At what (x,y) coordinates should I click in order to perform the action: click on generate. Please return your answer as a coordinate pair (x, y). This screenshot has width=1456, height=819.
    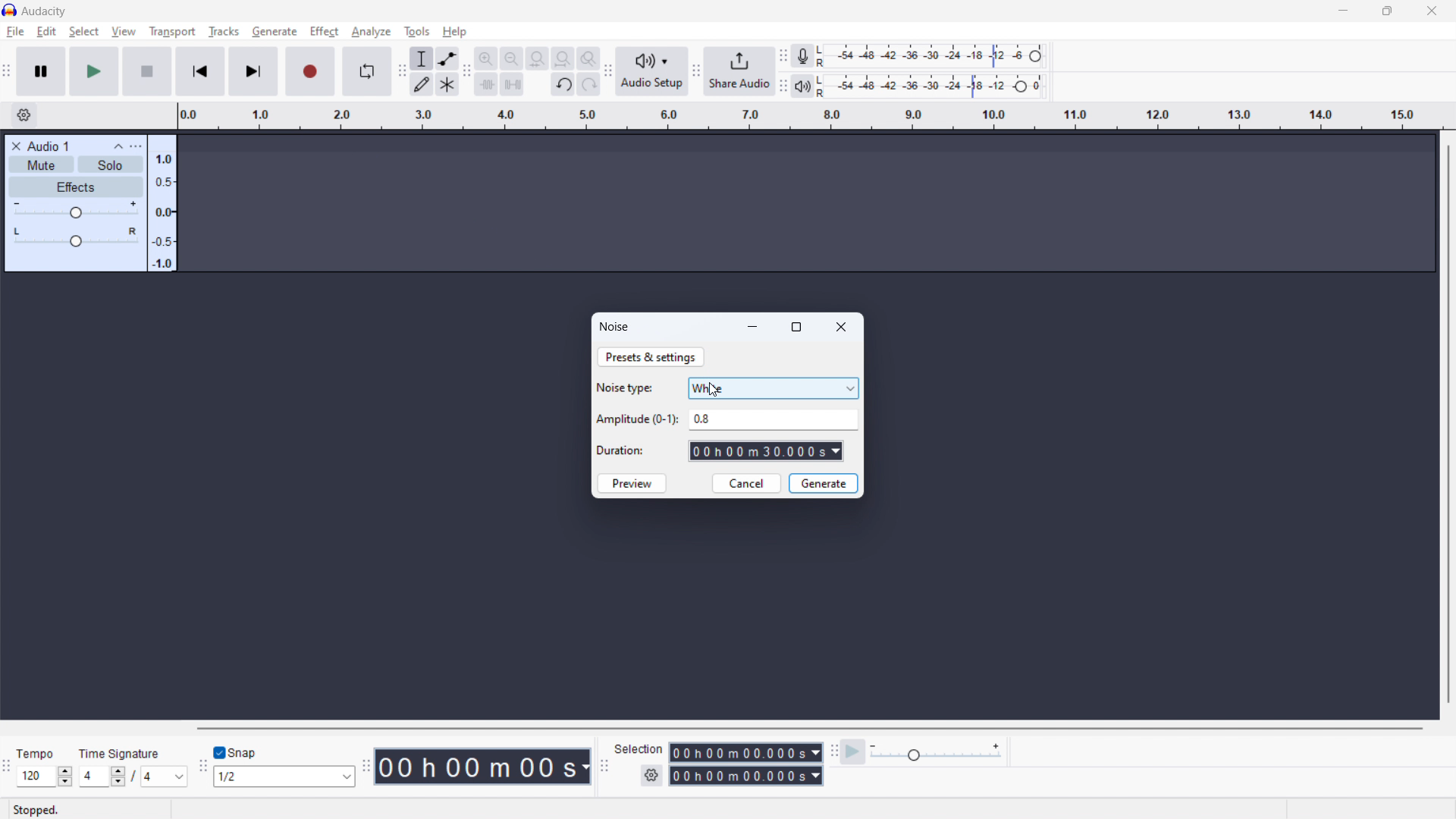
    Looking at the image, I should click on (824, 483).